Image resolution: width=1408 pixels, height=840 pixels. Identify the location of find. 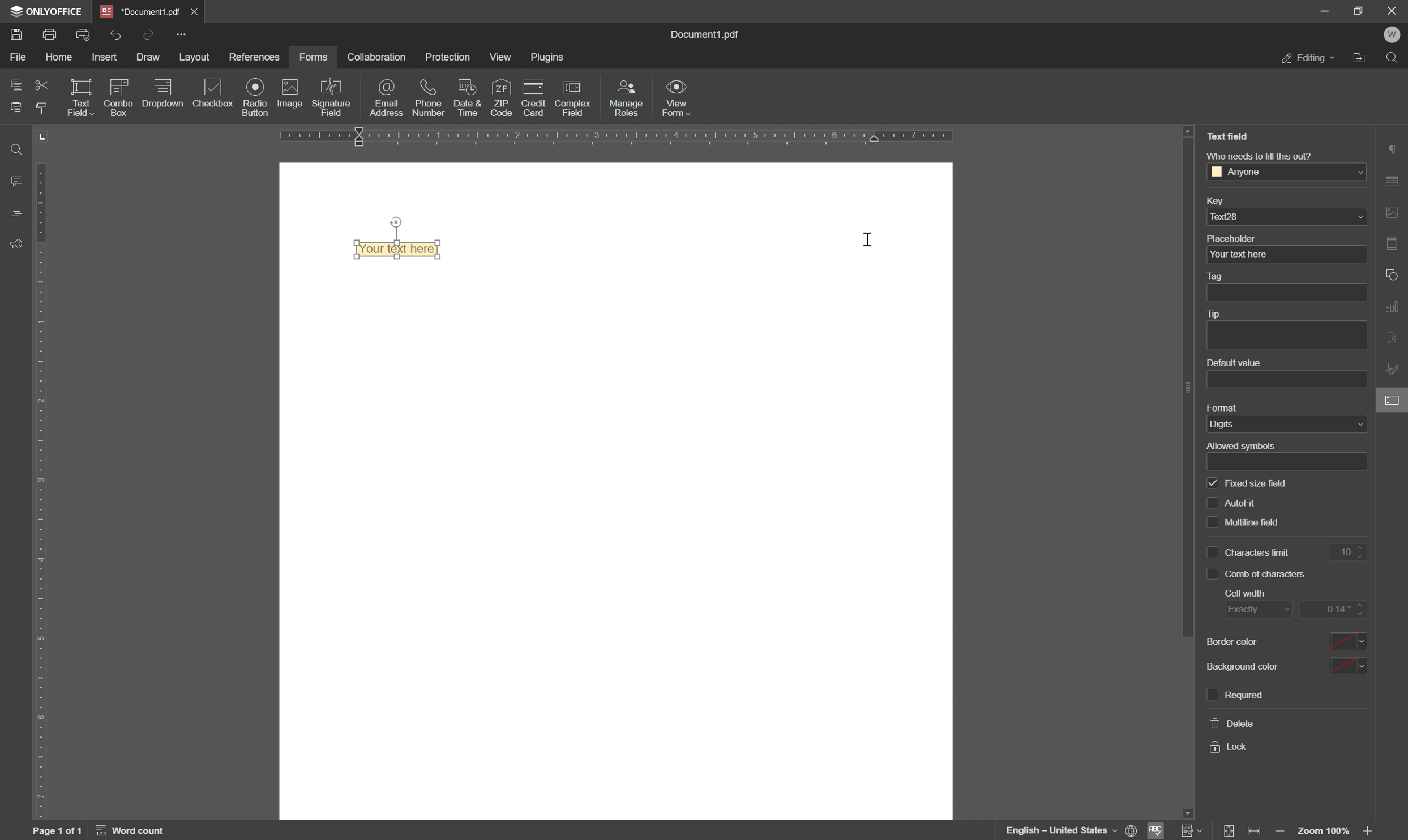
(15, 147).